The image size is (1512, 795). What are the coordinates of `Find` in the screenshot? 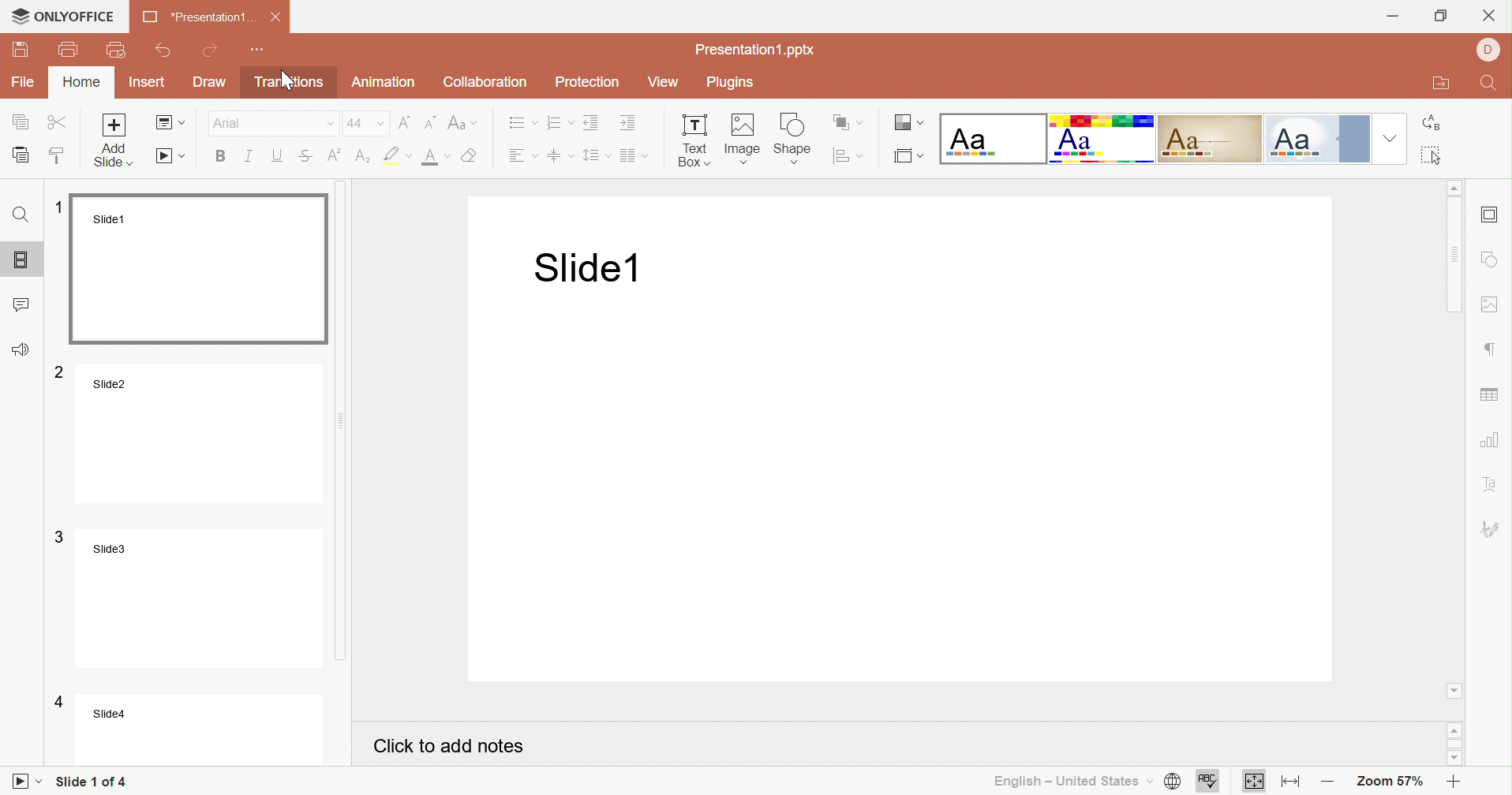 It's located at (23, 214).